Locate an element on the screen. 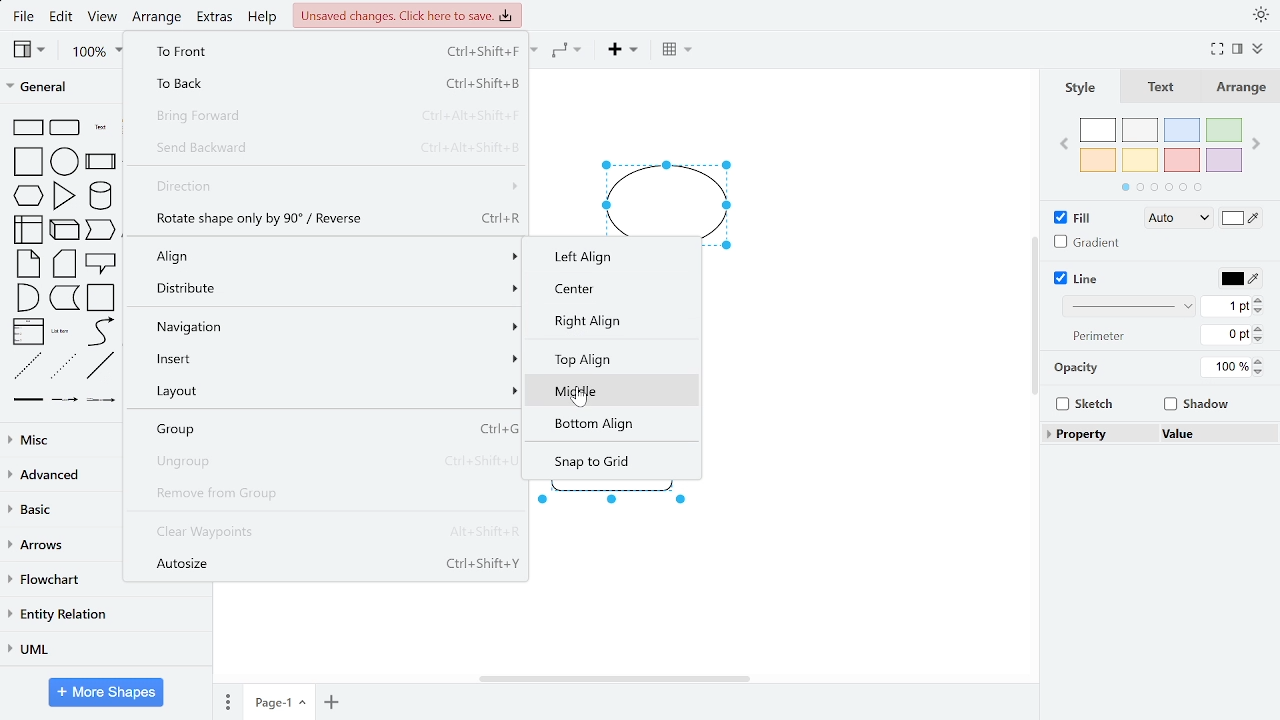 The height and width of the screenshot is (720, 1280). horizontal scrollbar is located at coordinates (606, 679).